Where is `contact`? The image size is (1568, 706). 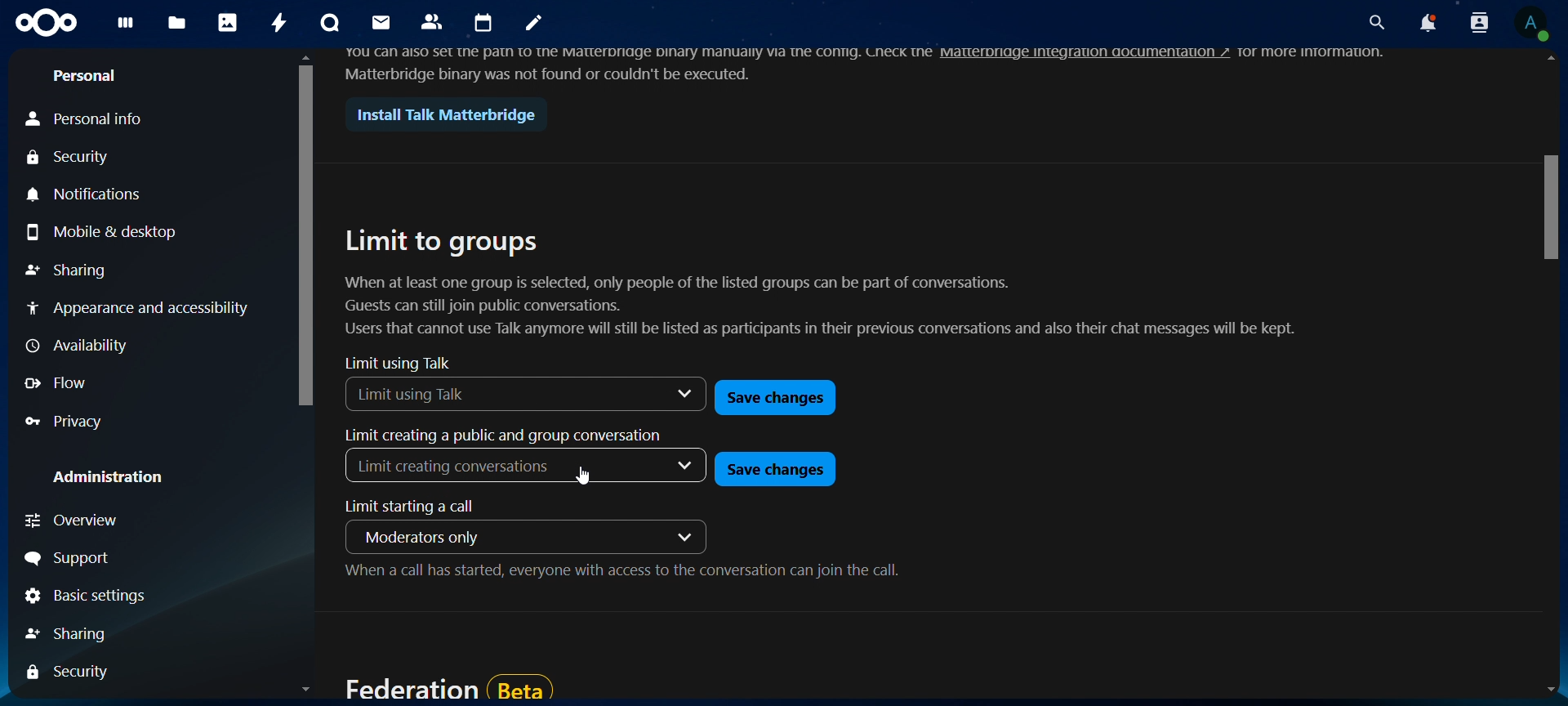
contact is located at coordinates (435, 23).